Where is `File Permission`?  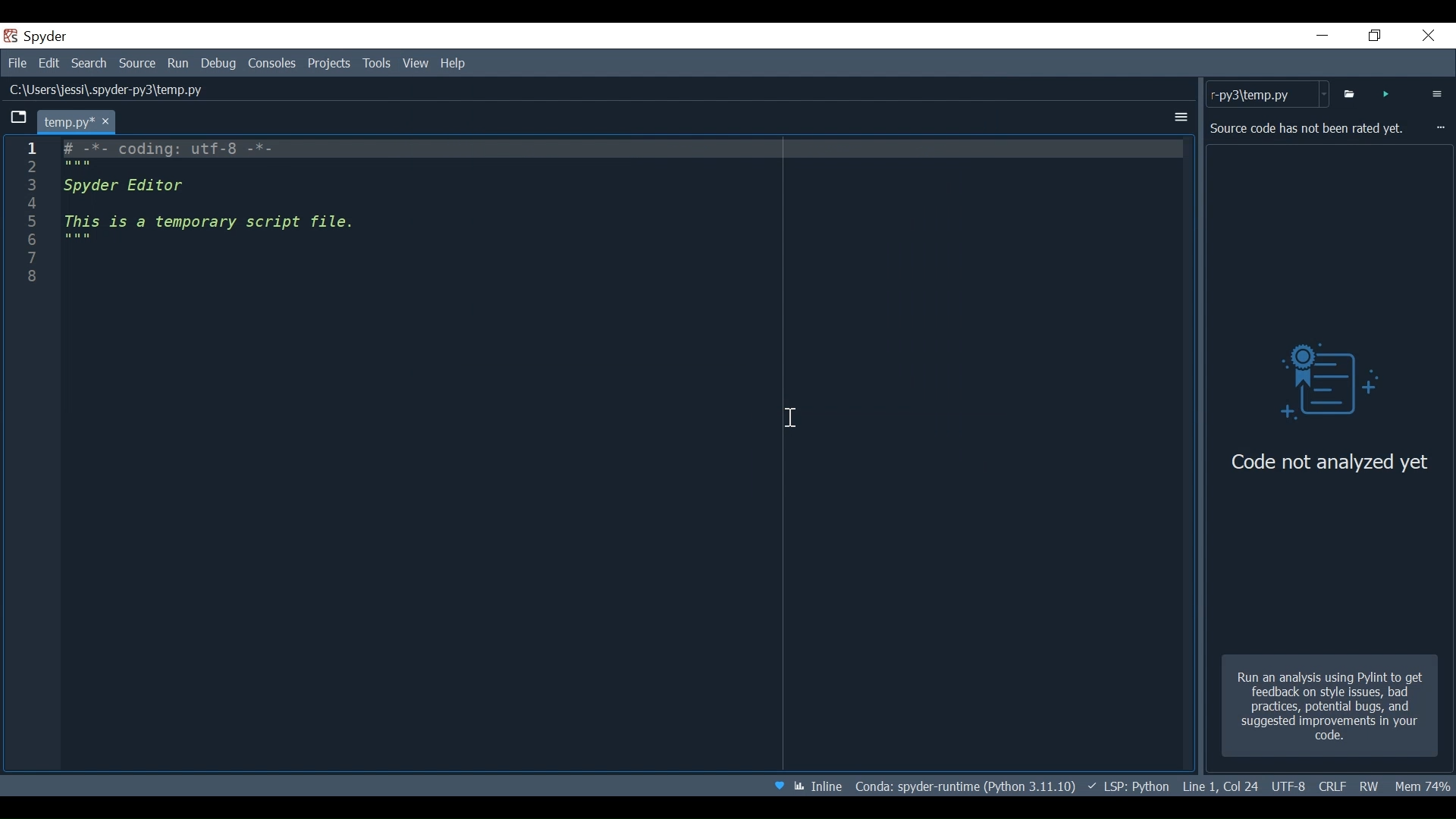
File Permission is located at coordinates (1367, 786).